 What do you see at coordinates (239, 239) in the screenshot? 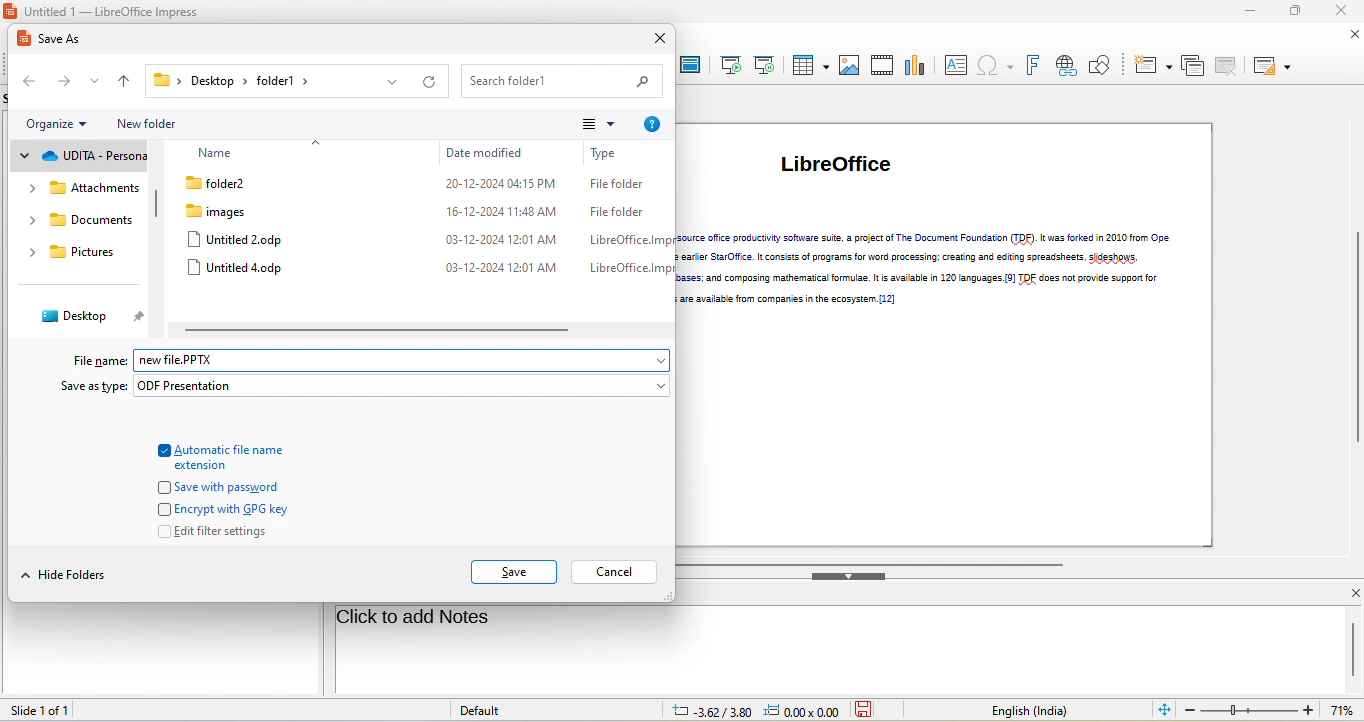
I see `untitled 2 odp` at bounding box center [239, 239].